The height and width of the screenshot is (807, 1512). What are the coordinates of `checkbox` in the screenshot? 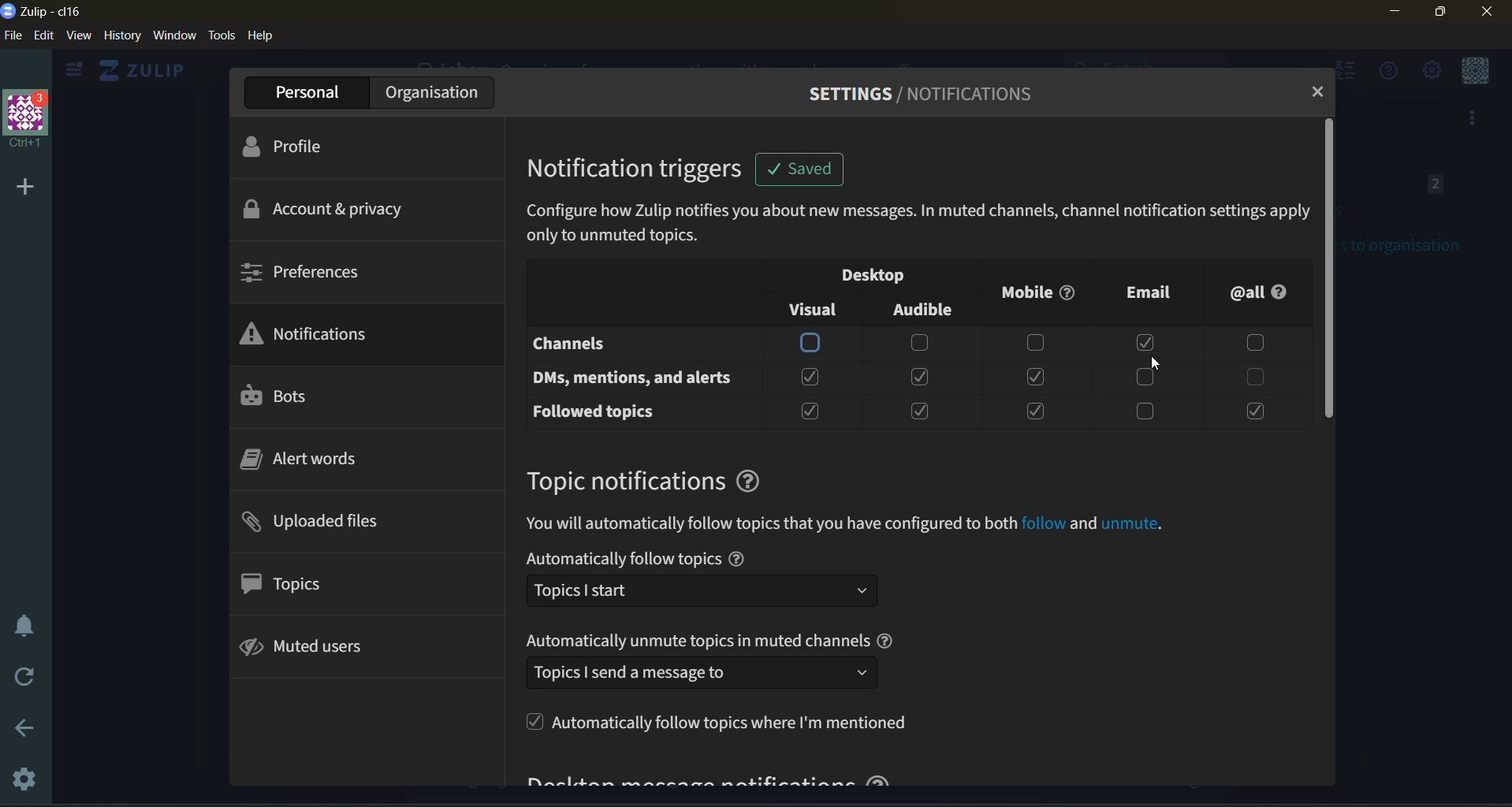 It's located at (1033, 411).